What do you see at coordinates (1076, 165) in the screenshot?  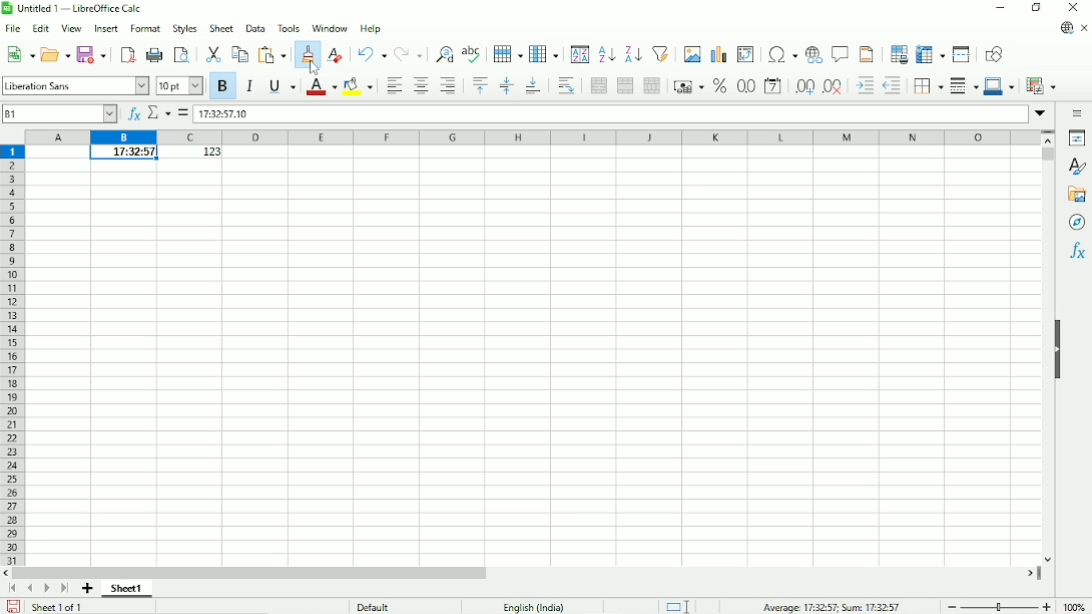 I see `Styles` at bounding box center [1076, 165].